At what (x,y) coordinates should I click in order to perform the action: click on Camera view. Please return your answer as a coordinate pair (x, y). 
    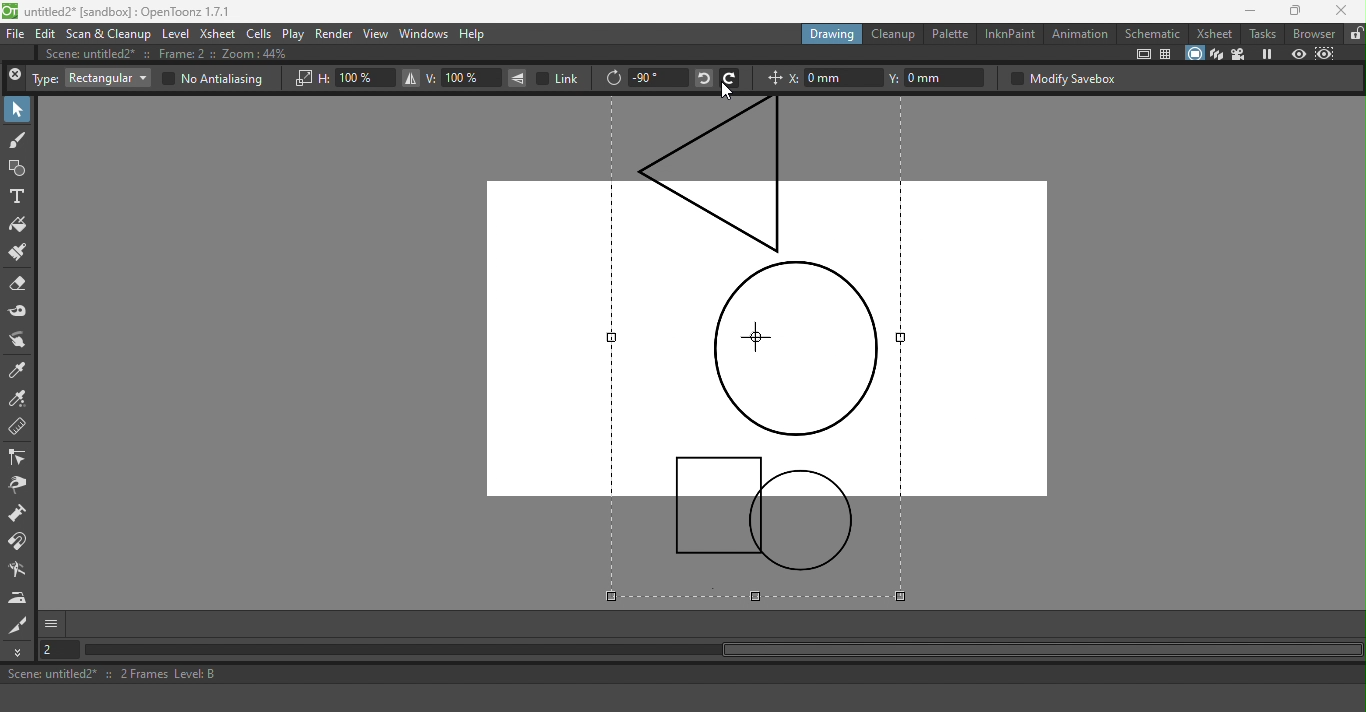
    Looking at the image, I should click on (1238, 55).